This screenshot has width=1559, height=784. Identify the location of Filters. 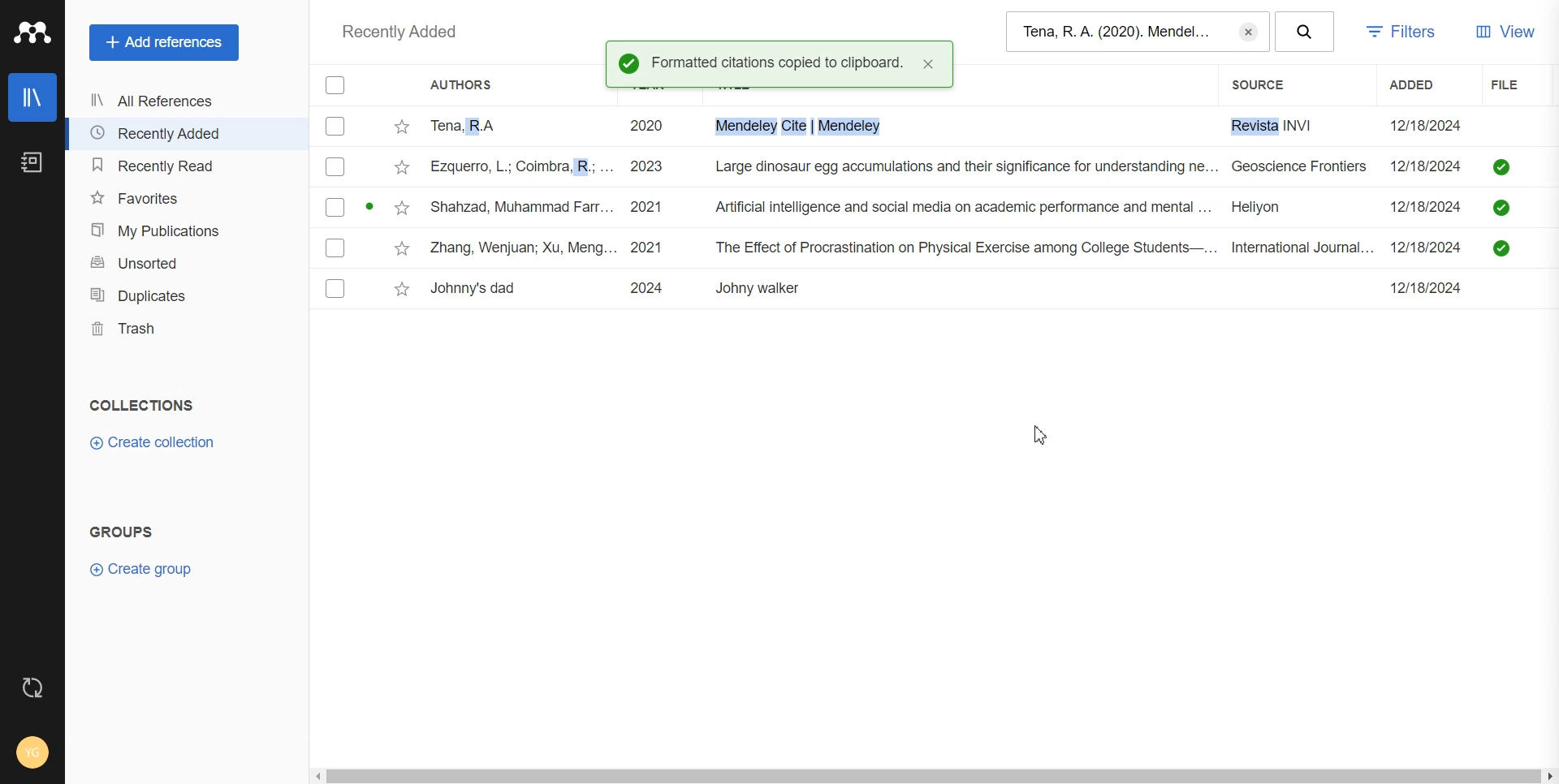
(1406, 34).